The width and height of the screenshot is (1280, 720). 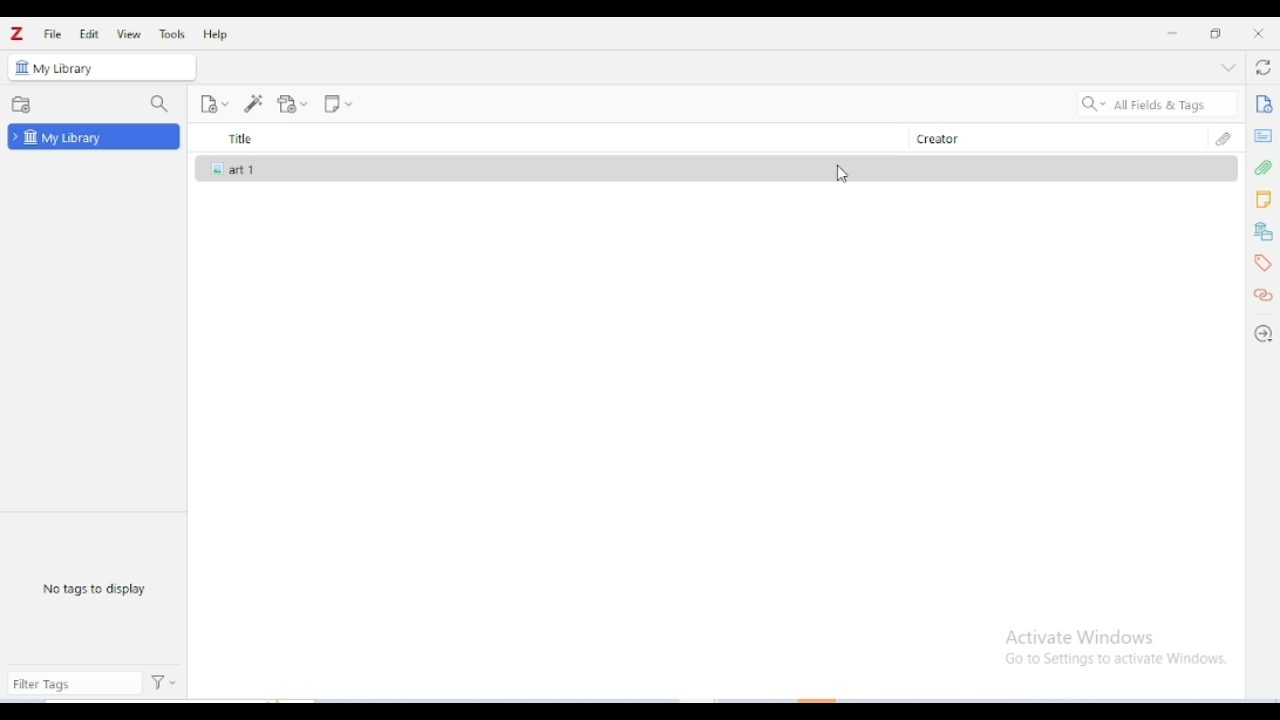 I want to click on sync with zotero.org, so click(x=1262, y=66).